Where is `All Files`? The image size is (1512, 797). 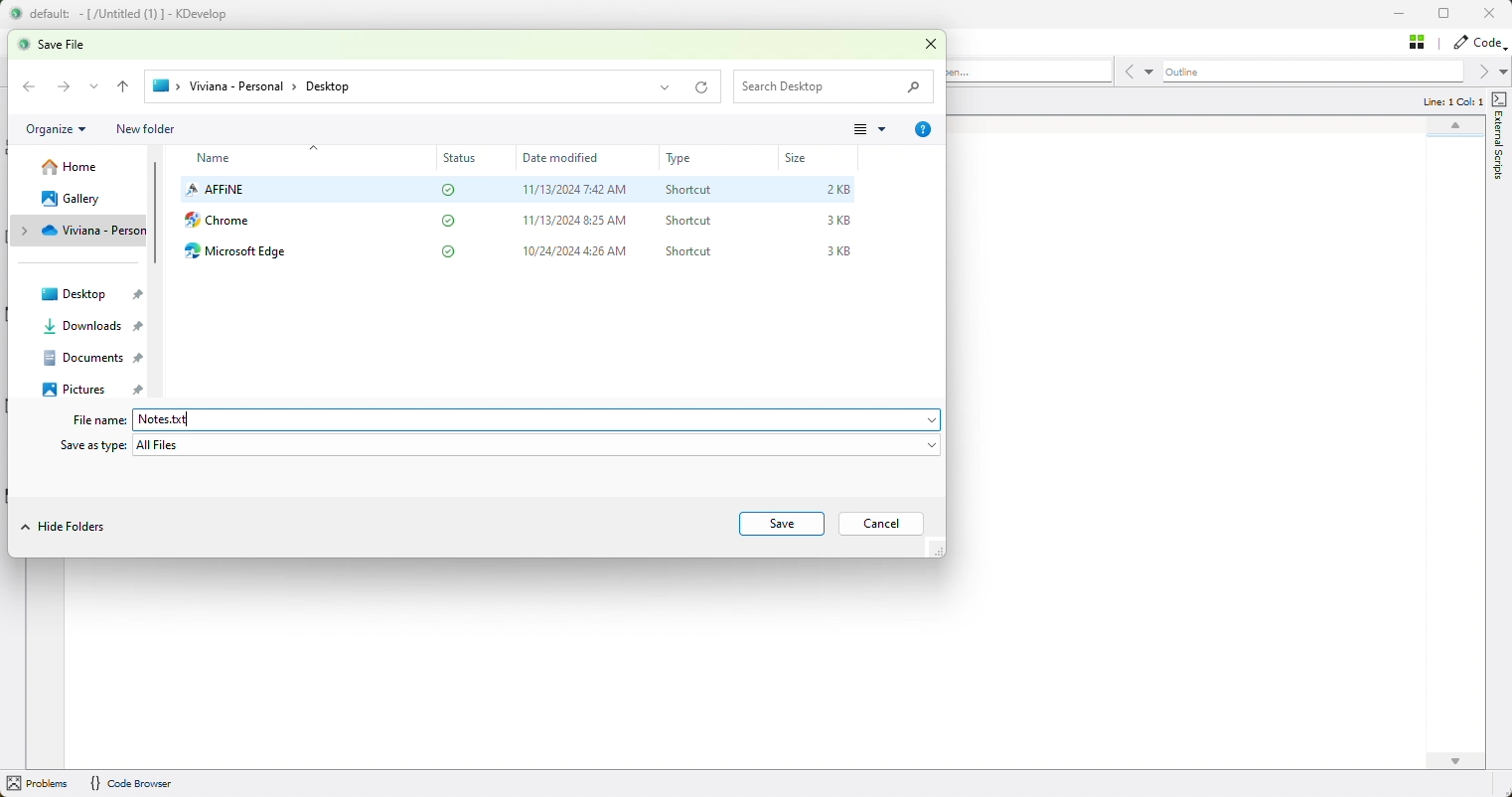 All Files is located at coordinates (160, 445).